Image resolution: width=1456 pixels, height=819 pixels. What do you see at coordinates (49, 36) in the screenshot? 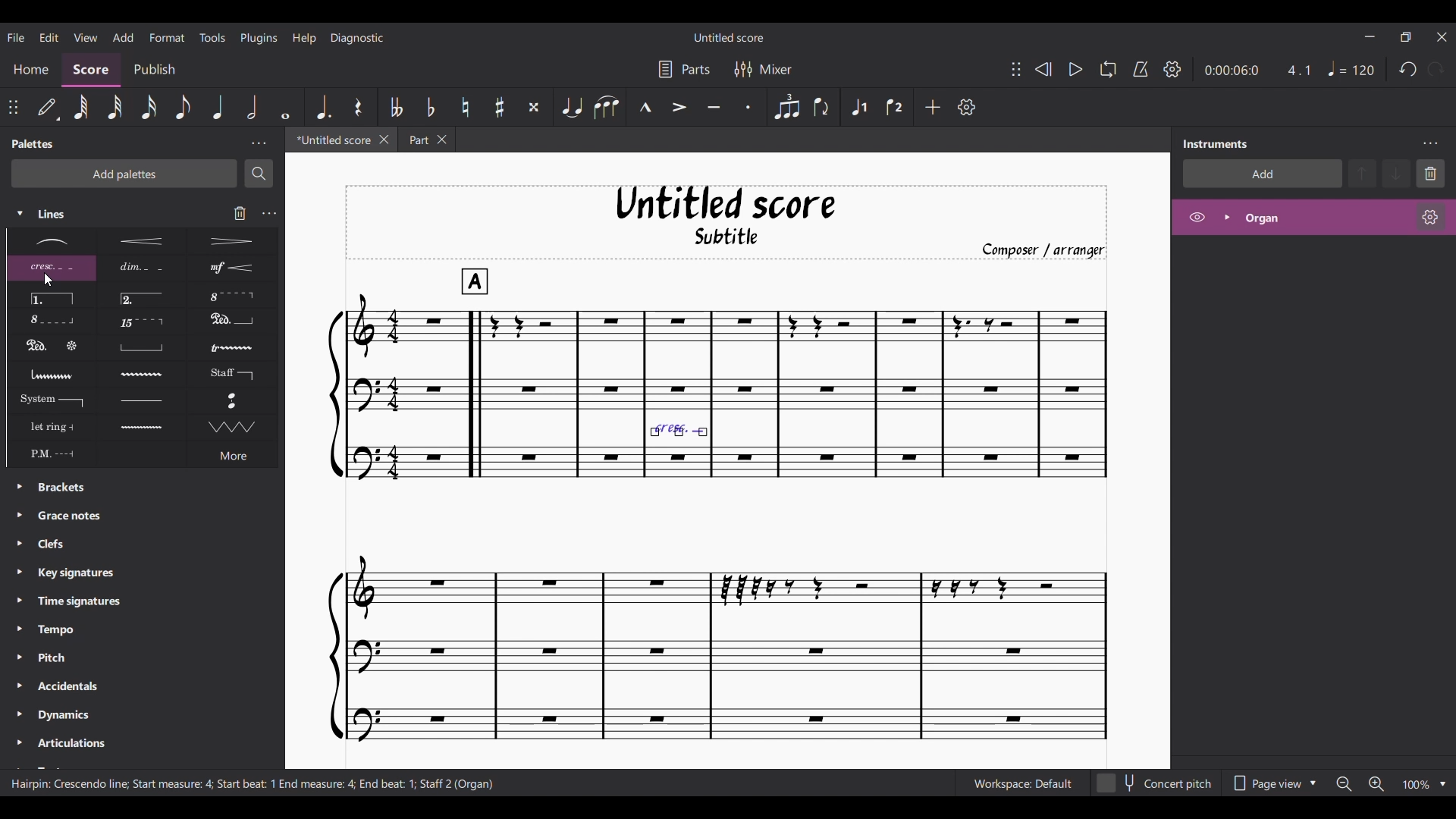
I see `Edit menu` at bounding box center [49, 36].